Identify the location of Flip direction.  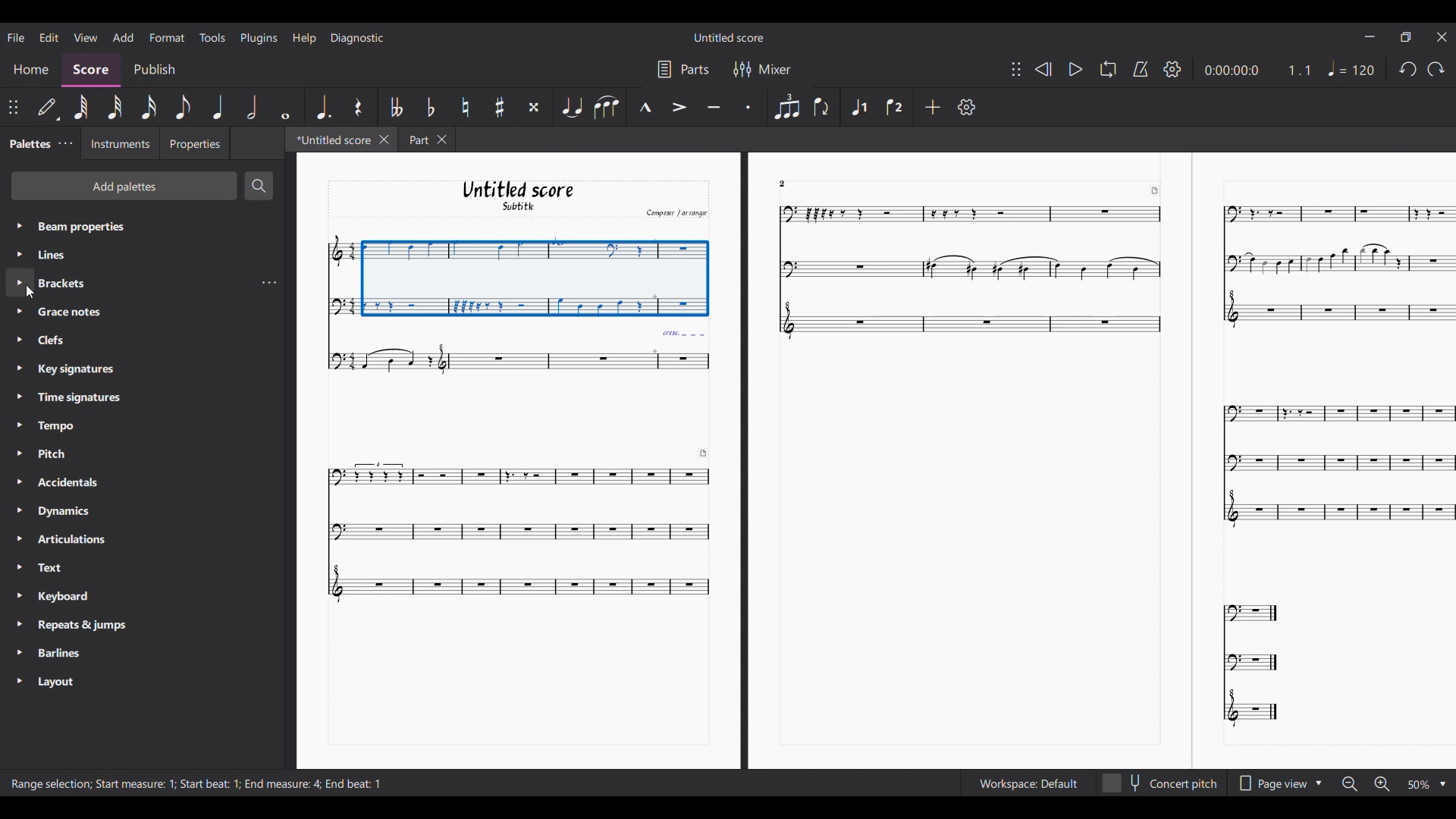
(821, 108).